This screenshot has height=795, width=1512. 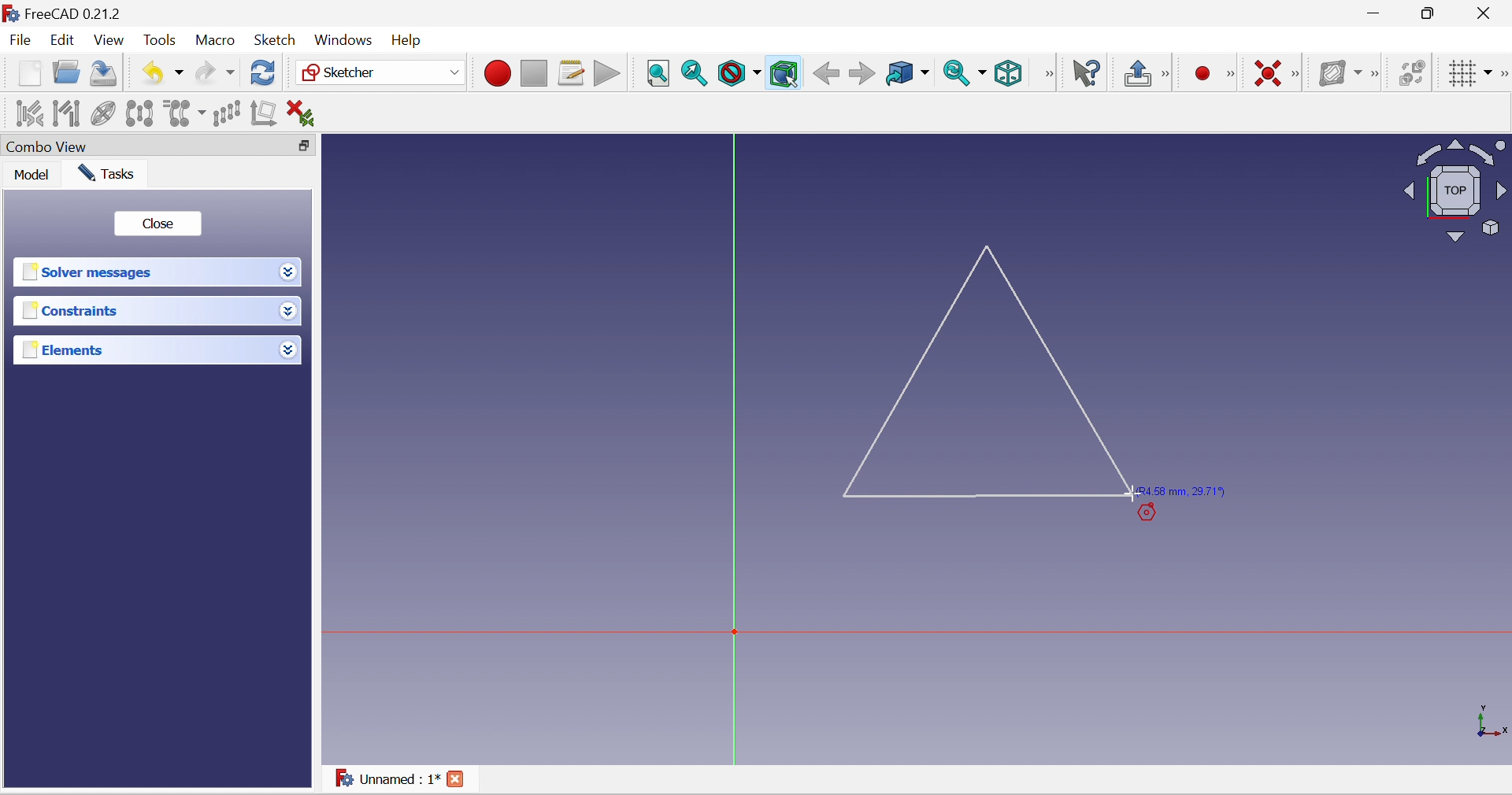 I want to click on Fit selection, so click(x=695, y=74).